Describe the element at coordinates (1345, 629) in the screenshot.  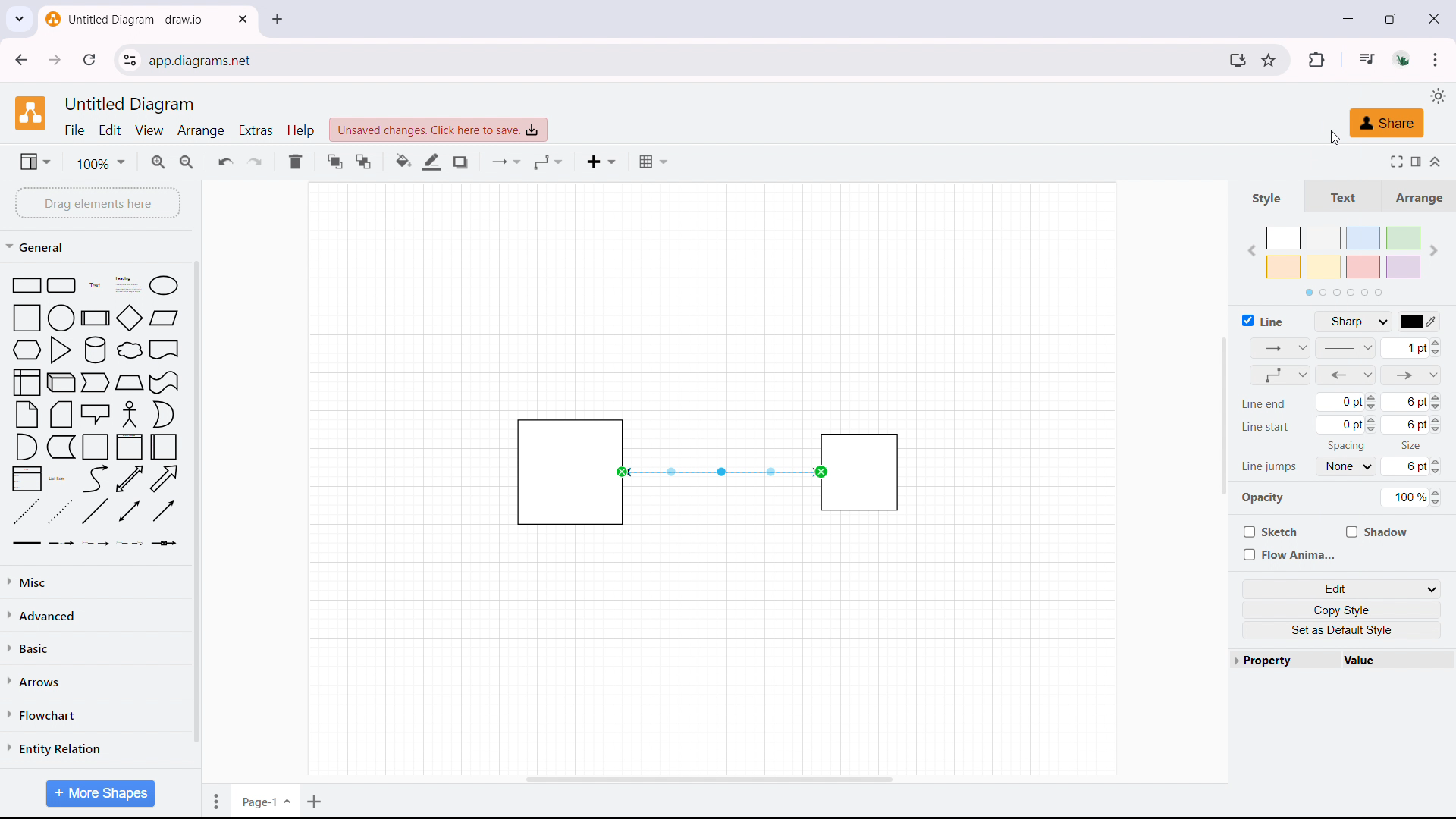
I see `set as default style` at that location.